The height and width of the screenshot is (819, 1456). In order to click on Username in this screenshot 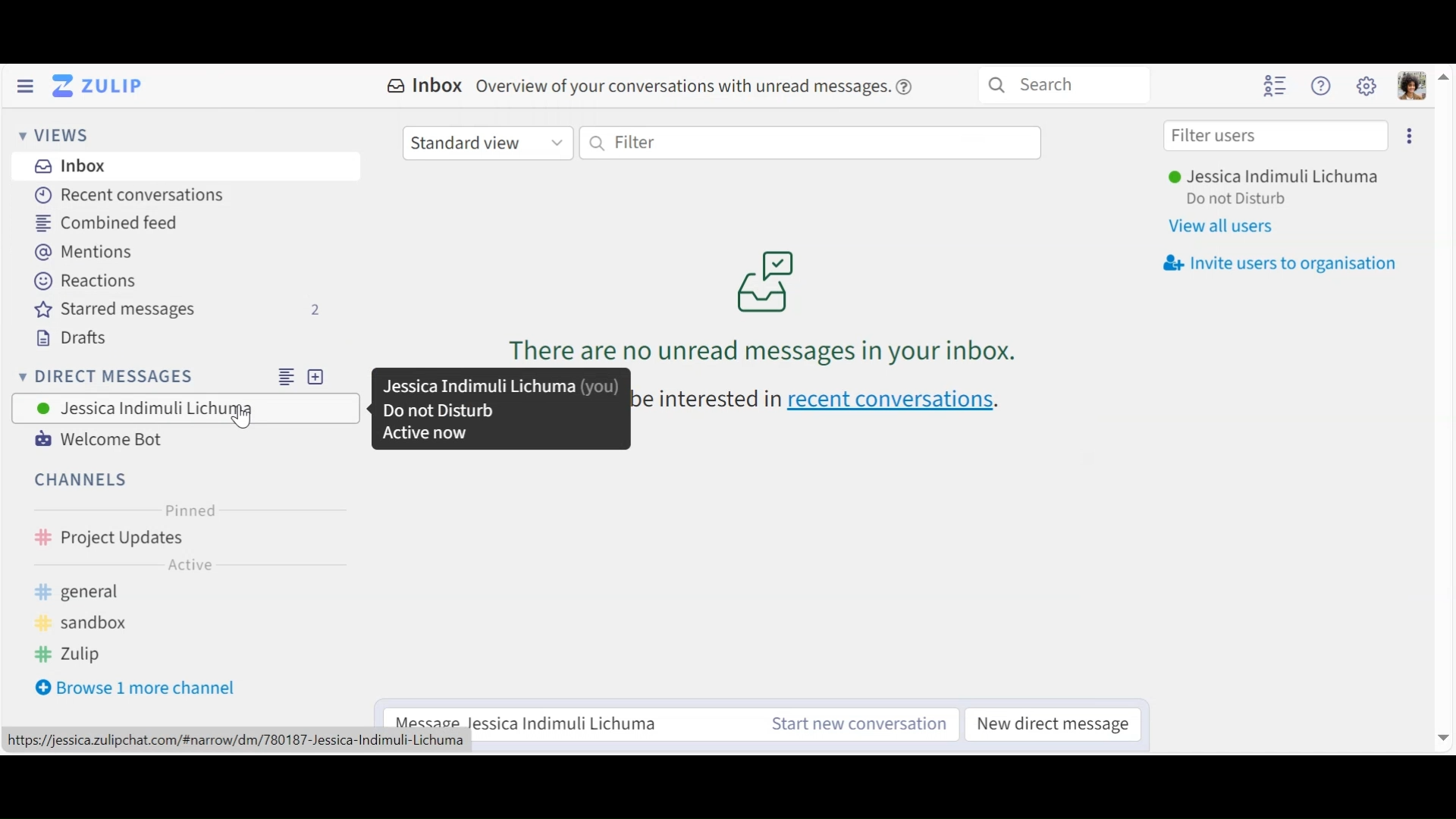, I will do `click(1273, 177)`.